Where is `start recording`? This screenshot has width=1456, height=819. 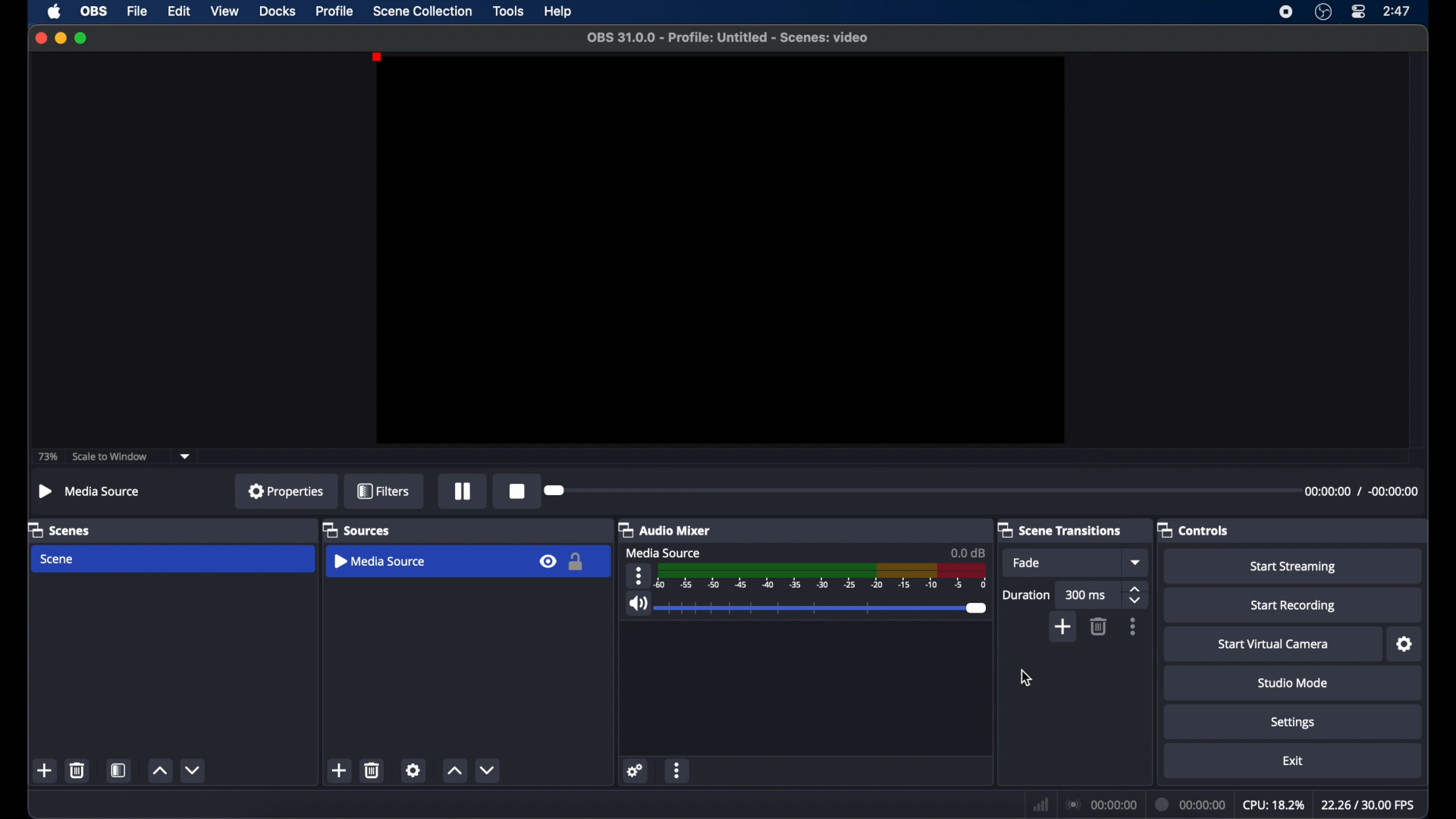
start recording is located at coordinates (1293, 606).